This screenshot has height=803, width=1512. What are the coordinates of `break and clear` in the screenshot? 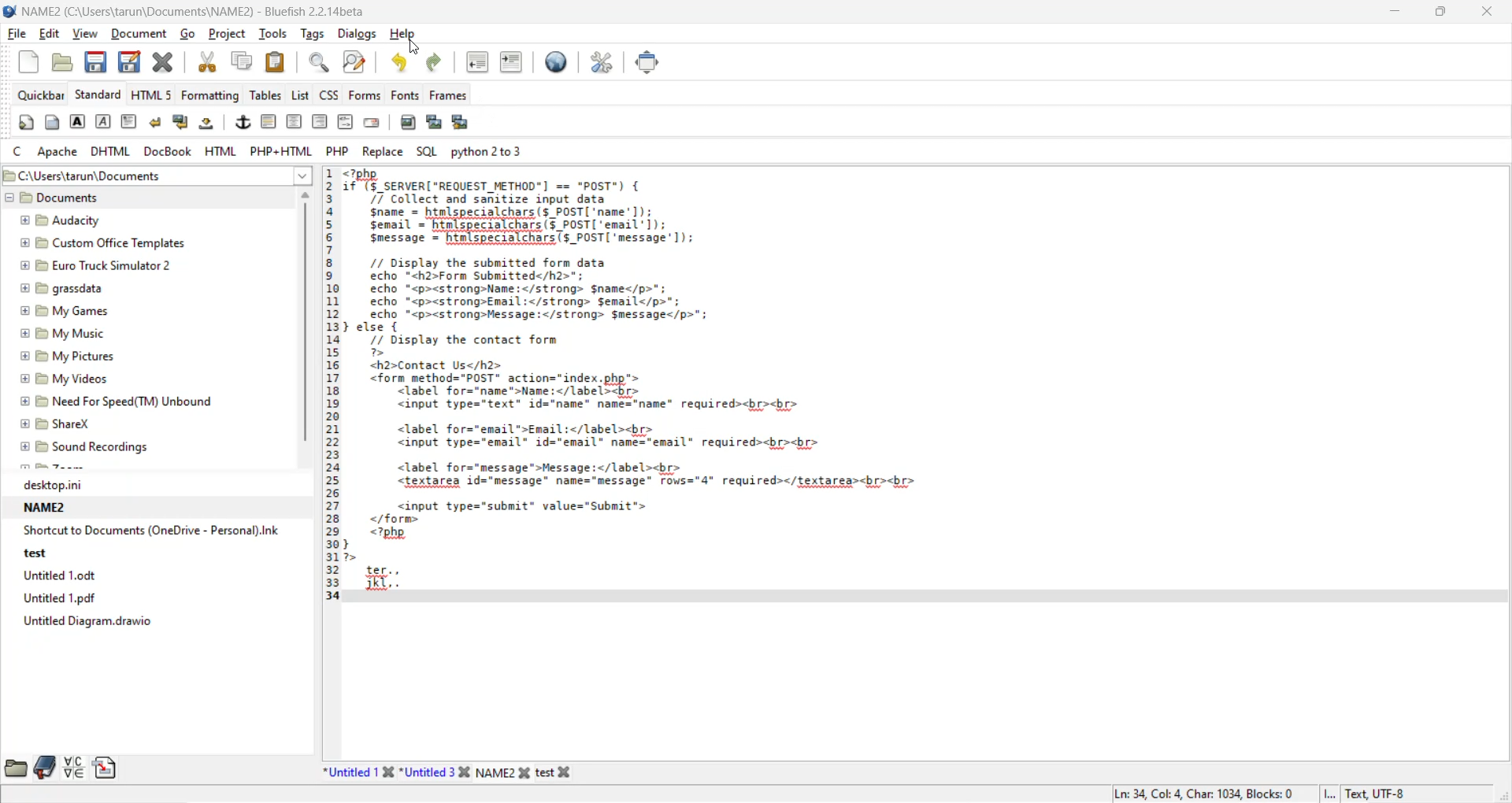 It's located at (183, 122).